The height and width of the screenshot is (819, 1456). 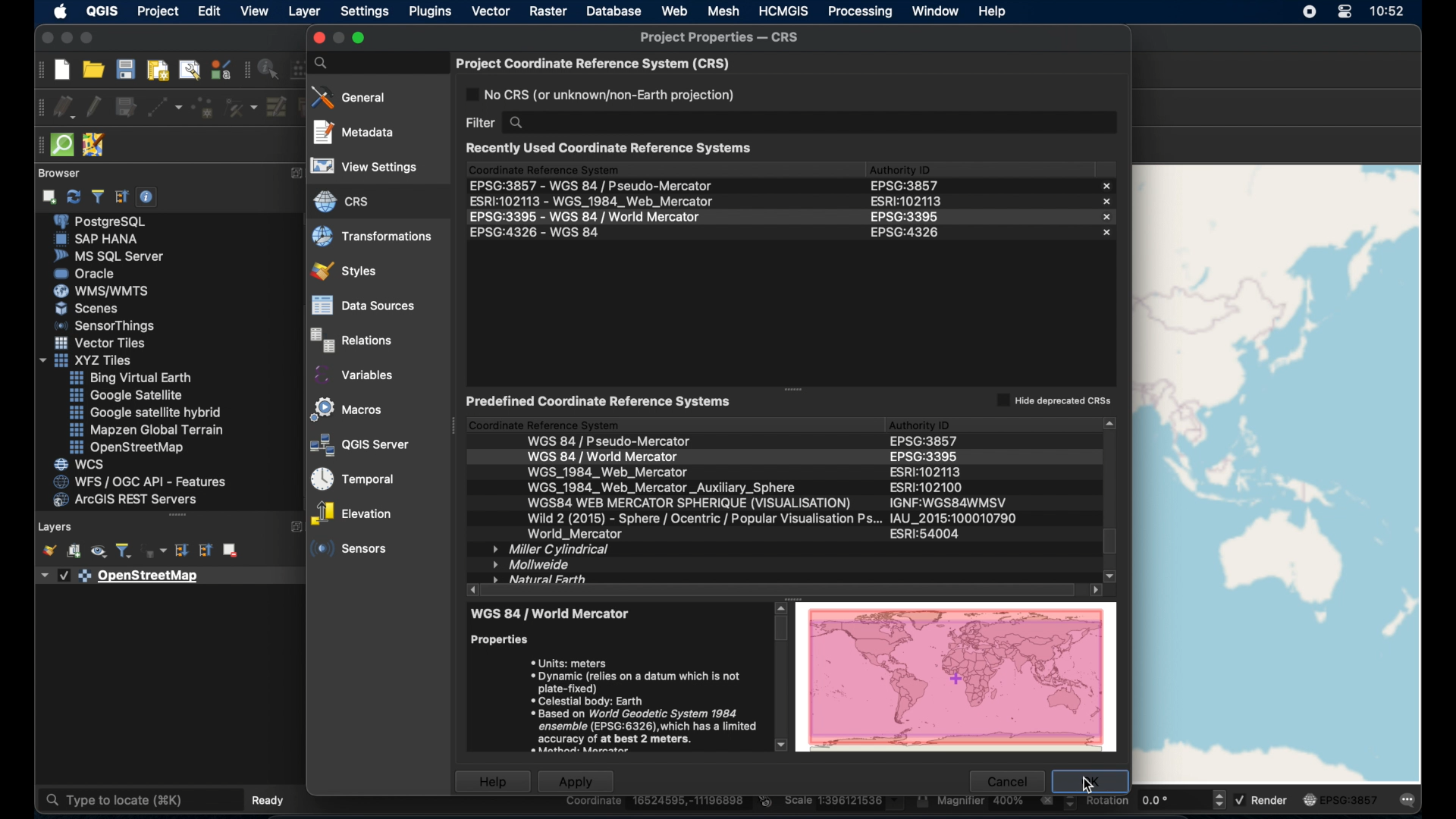 I want to click on styles, so click(x=359, y=271).